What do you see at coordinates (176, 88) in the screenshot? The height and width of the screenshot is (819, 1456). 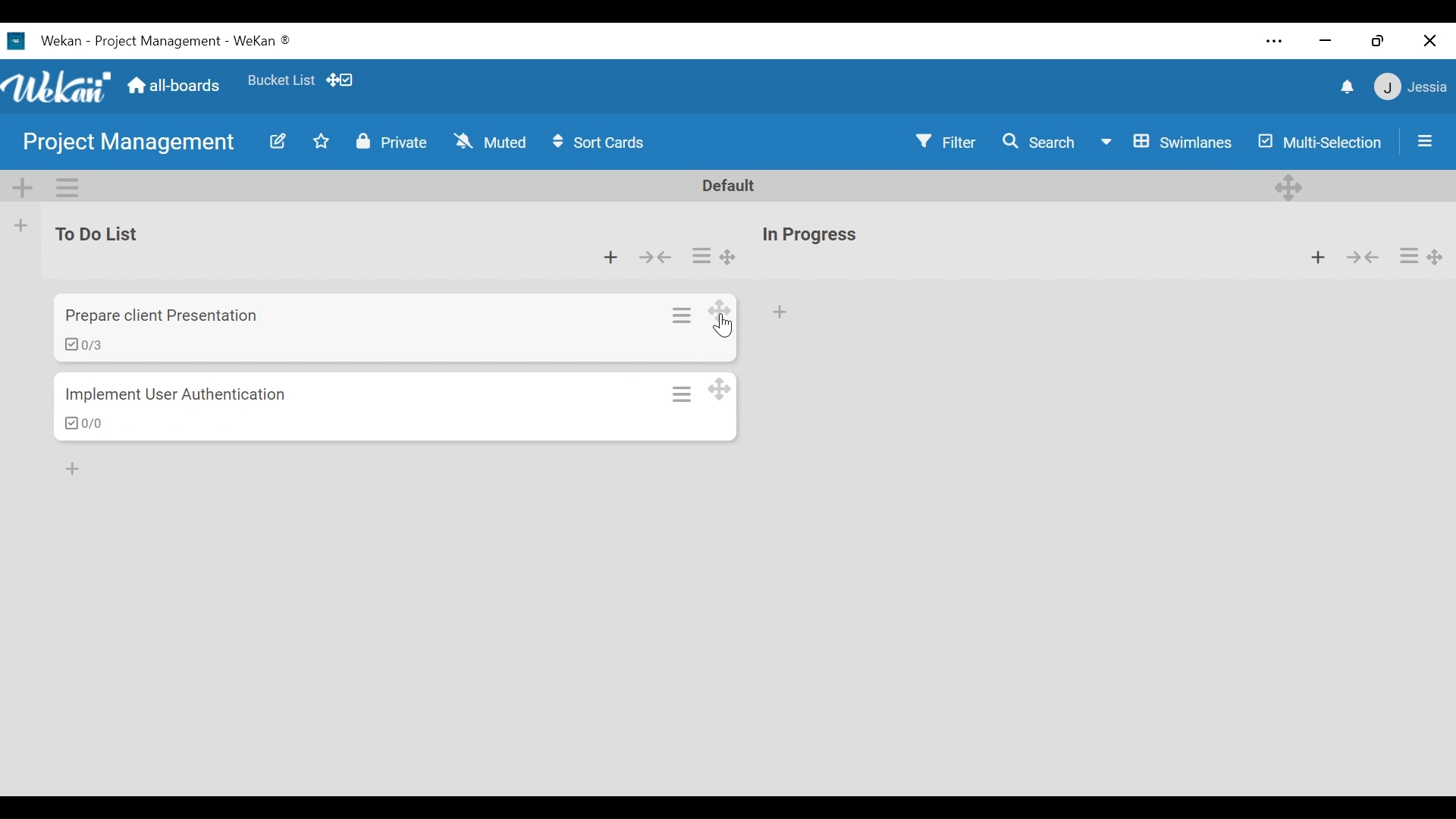 I see `Home (all-boards)` at bounding box center [176, 88].